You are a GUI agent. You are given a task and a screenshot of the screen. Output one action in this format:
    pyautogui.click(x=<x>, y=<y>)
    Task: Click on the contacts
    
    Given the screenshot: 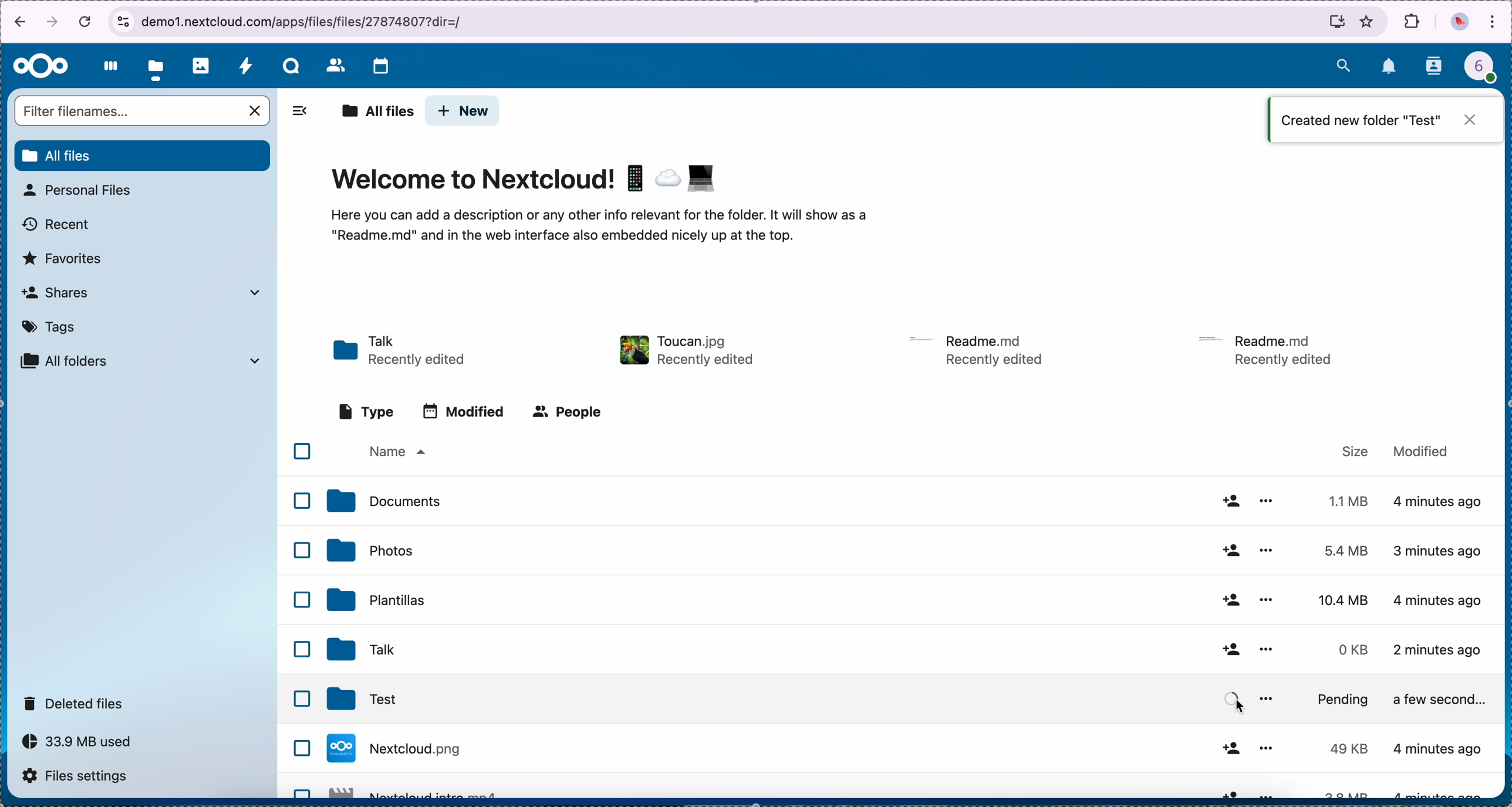 What is the action you would take?
    pyautogui.click(x=335, y=65)
    